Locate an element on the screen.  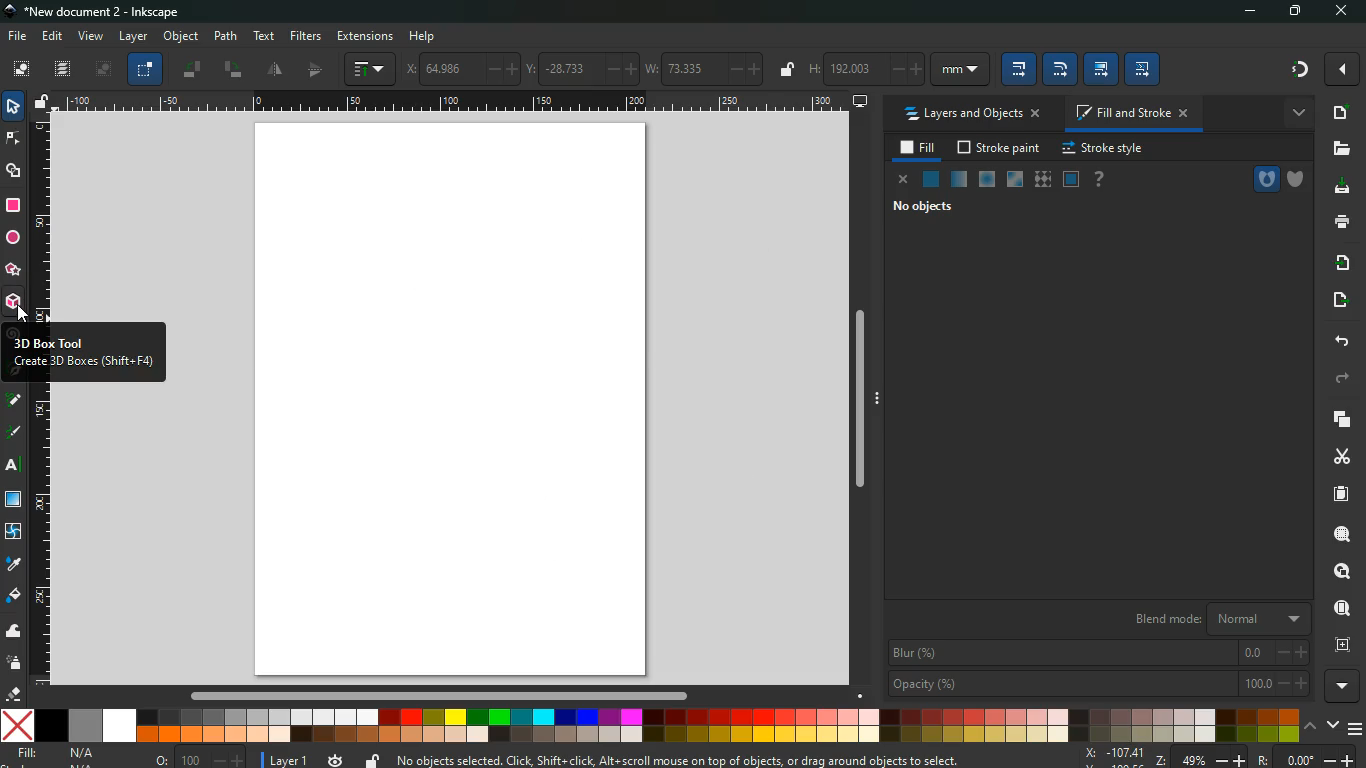
edit is located at coordinates (1018, 69).